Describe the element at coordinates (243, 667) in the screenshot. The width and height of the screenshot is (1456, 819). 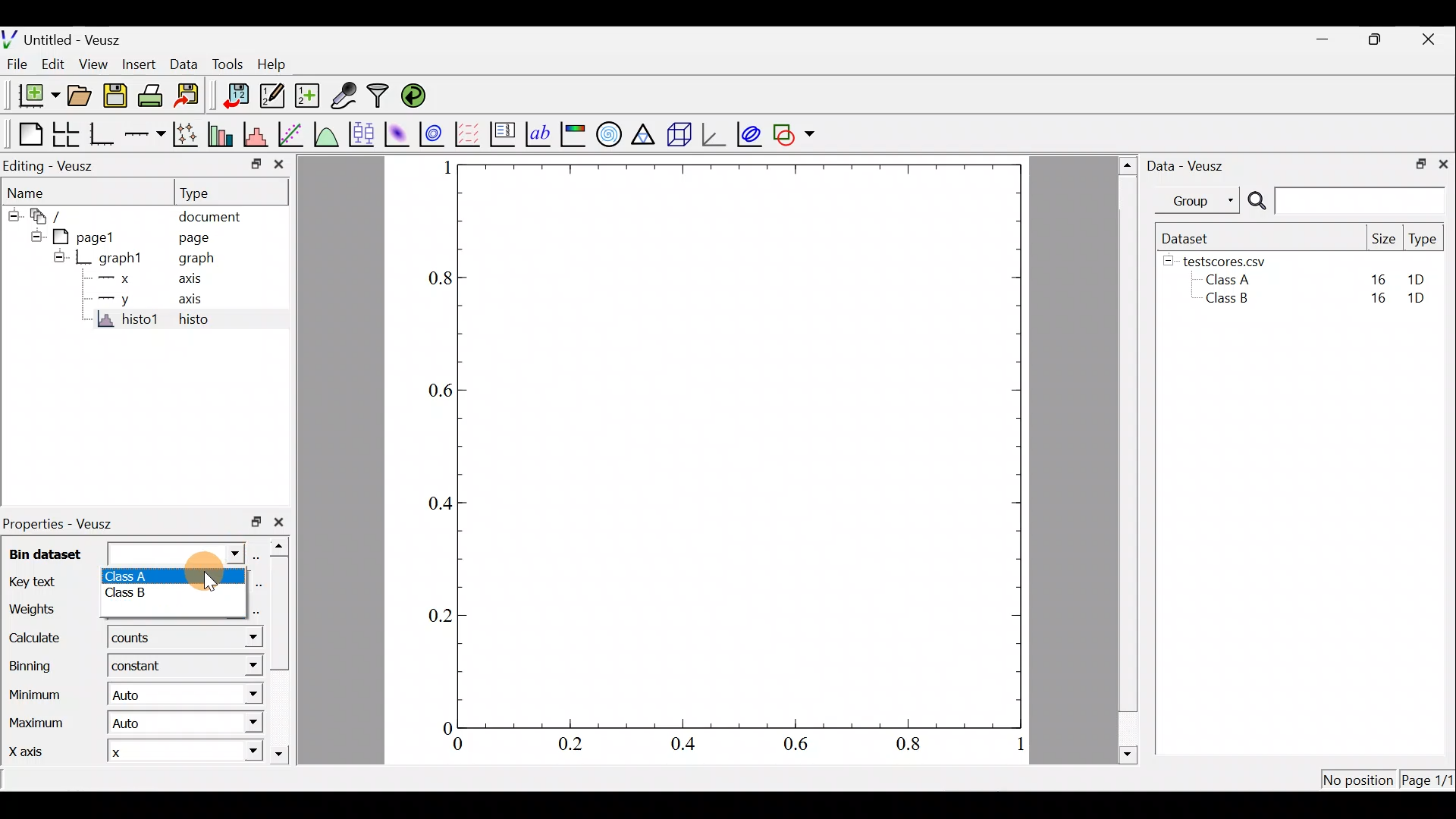
I see `Binning menu` at that location.